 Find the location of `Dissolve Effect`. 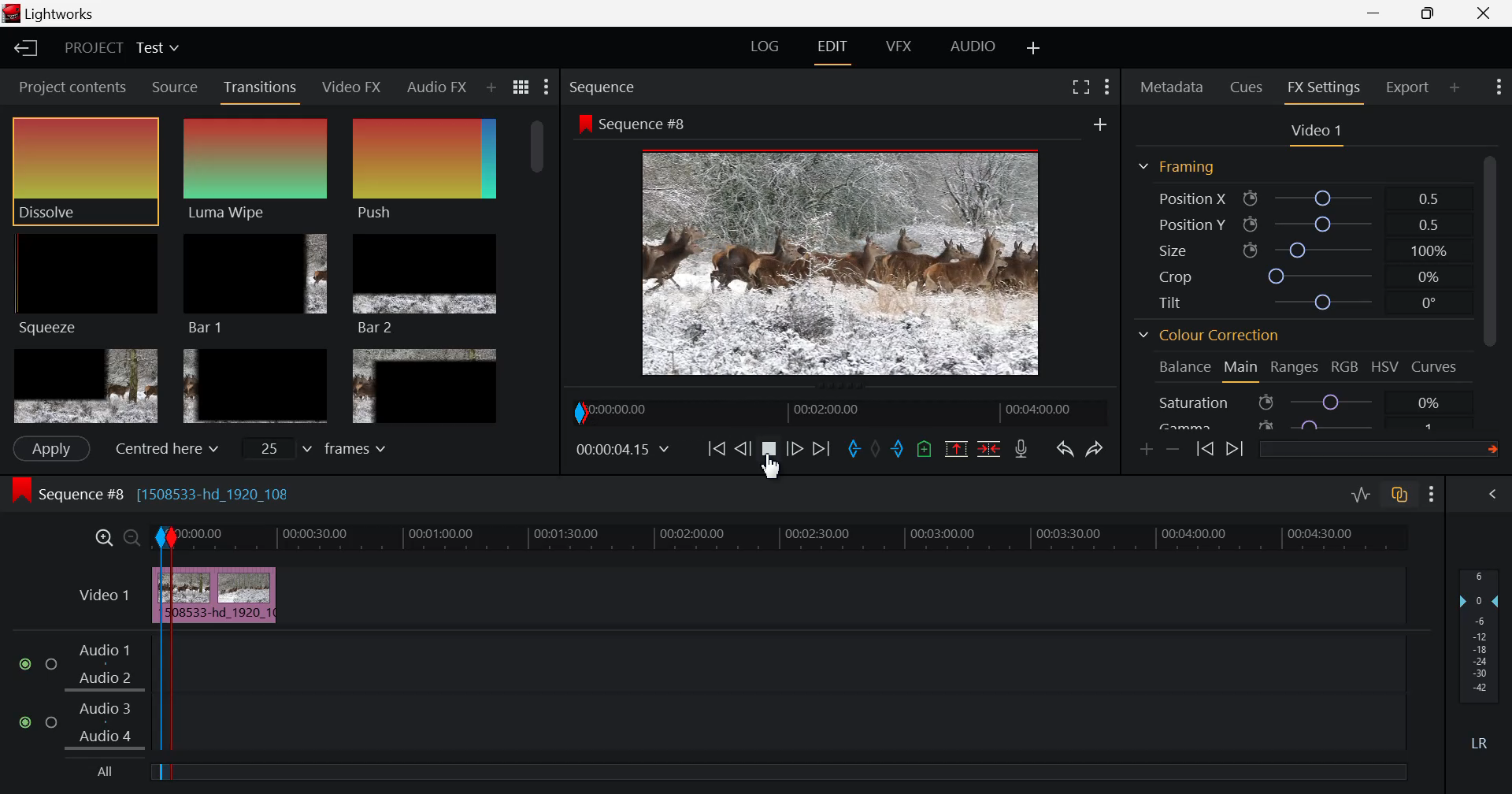

Dissolve Effect is located at coordinates (85, 171).